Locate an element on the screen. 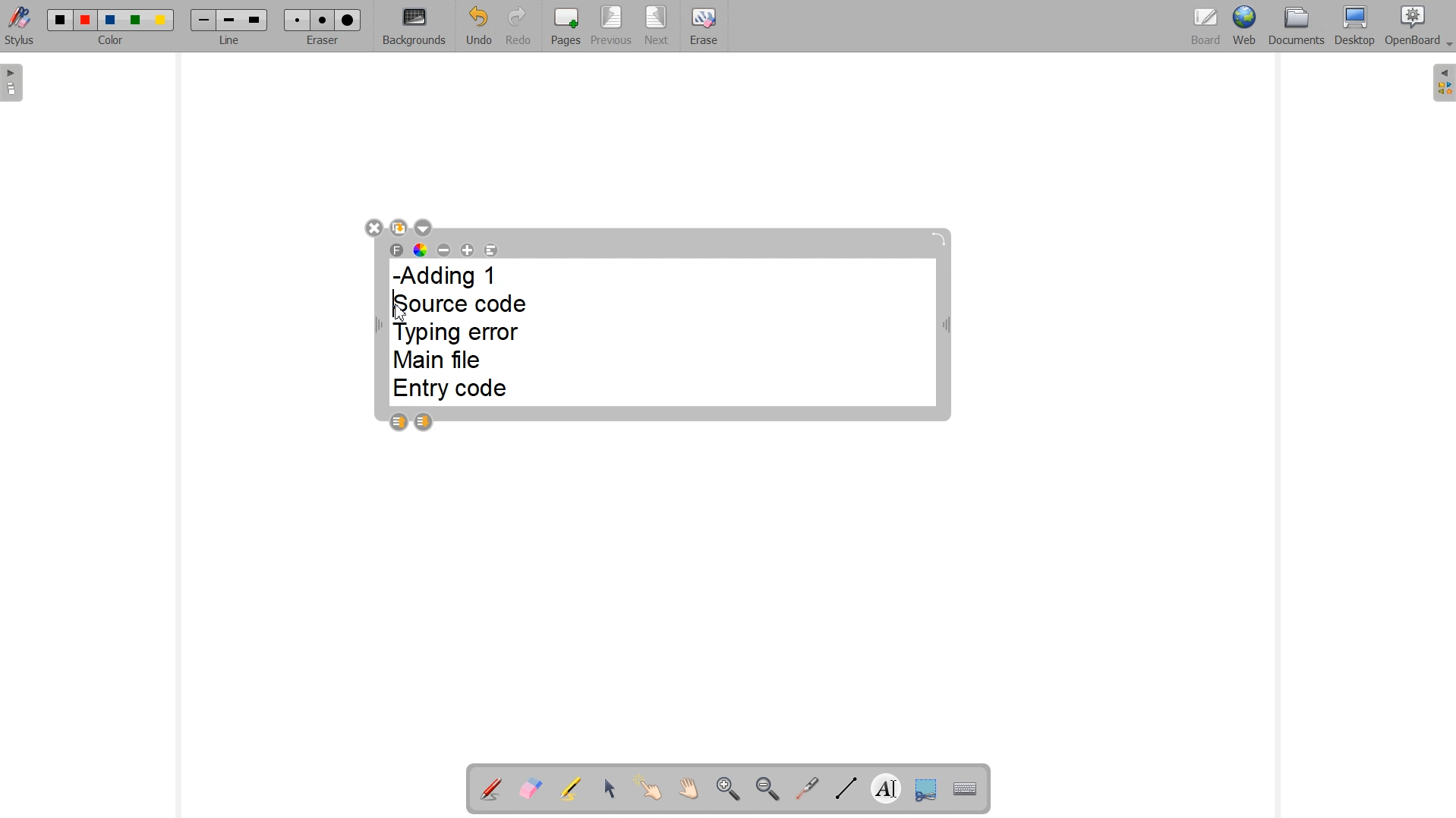 This screenshot has width=1456, height=818. Color 5 is located at coordinates (162, 20).